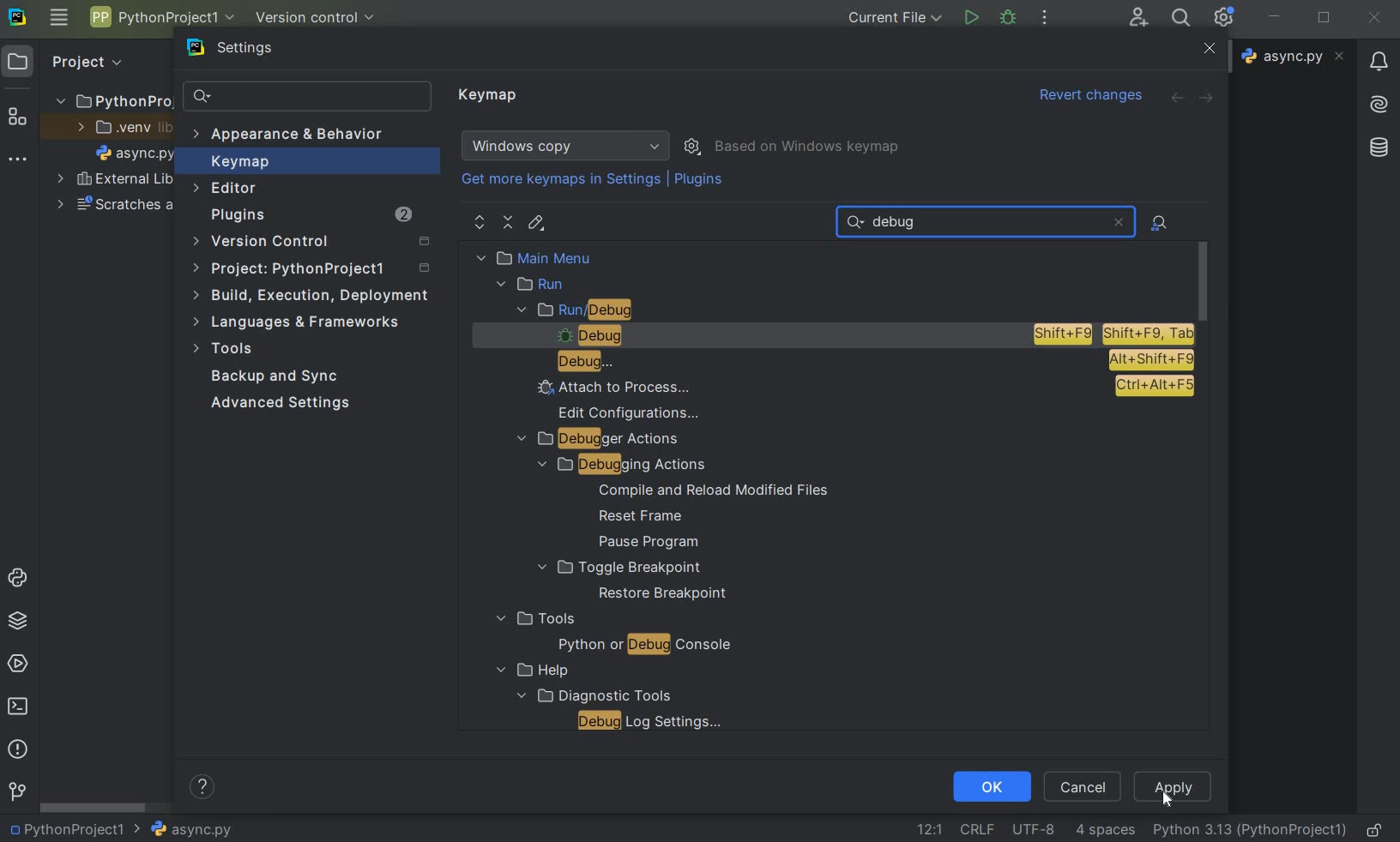 This screenshot has height=842, width=1400. Describe the element at coordinates (991, 785) in the screenshot. I see `ok` at that location.